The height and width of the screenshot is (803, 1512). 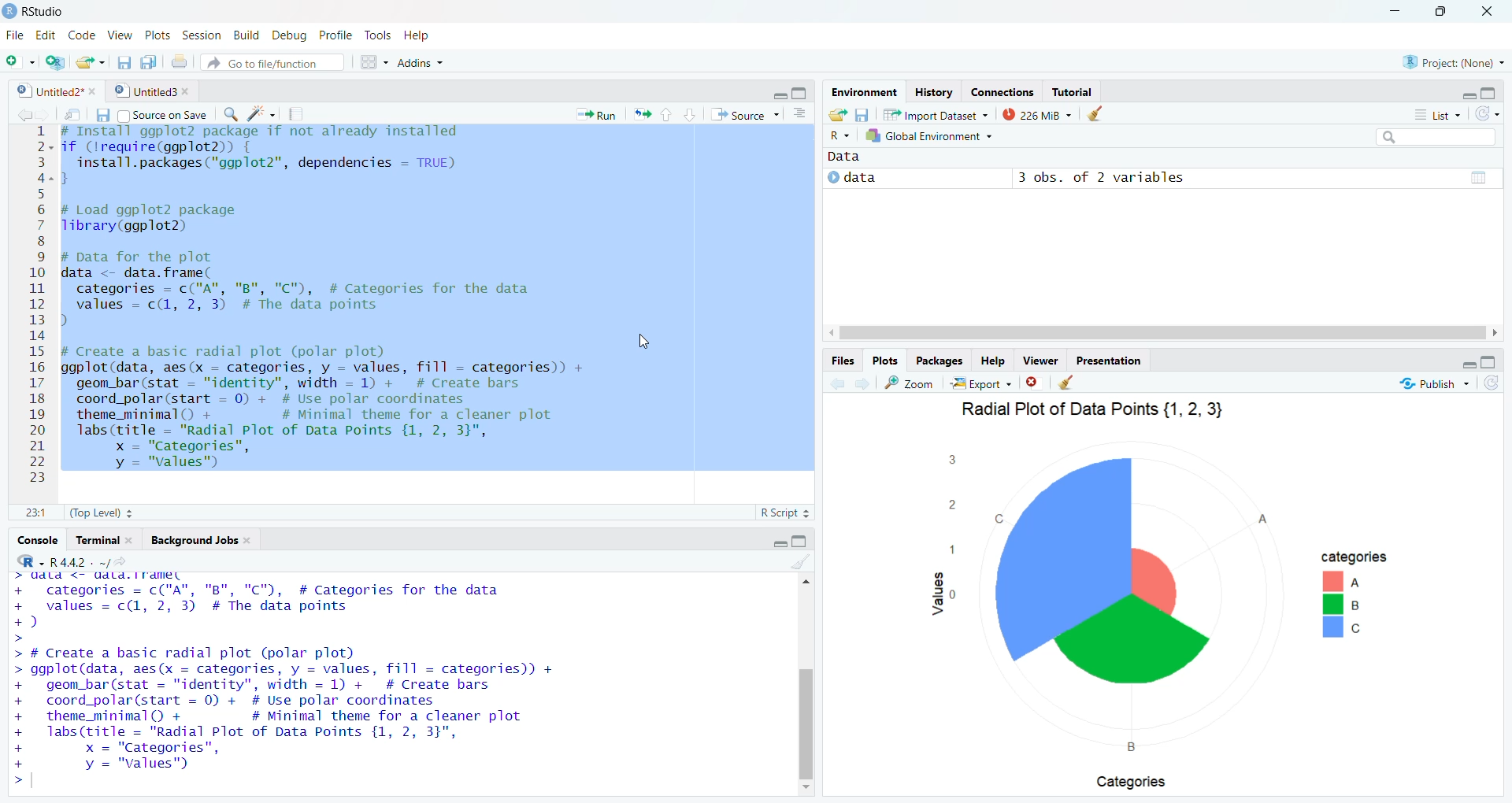 What do you see at coordinates (202, 35) in the screenshot?
I see `Session` at bounding box center [202, 35].